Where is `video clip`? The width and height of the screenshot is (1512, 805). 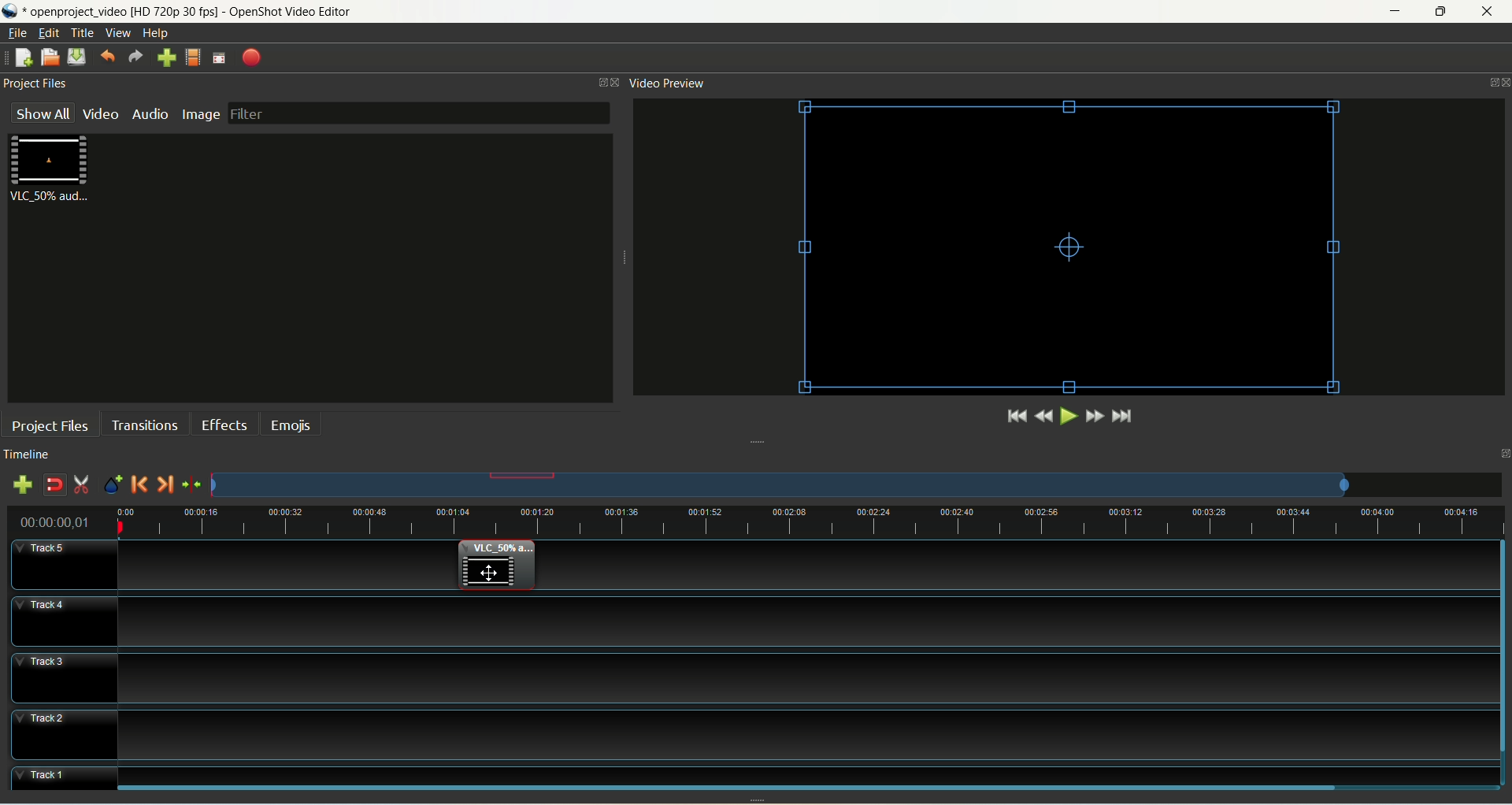 video clip is located at coordinates (495, 566).